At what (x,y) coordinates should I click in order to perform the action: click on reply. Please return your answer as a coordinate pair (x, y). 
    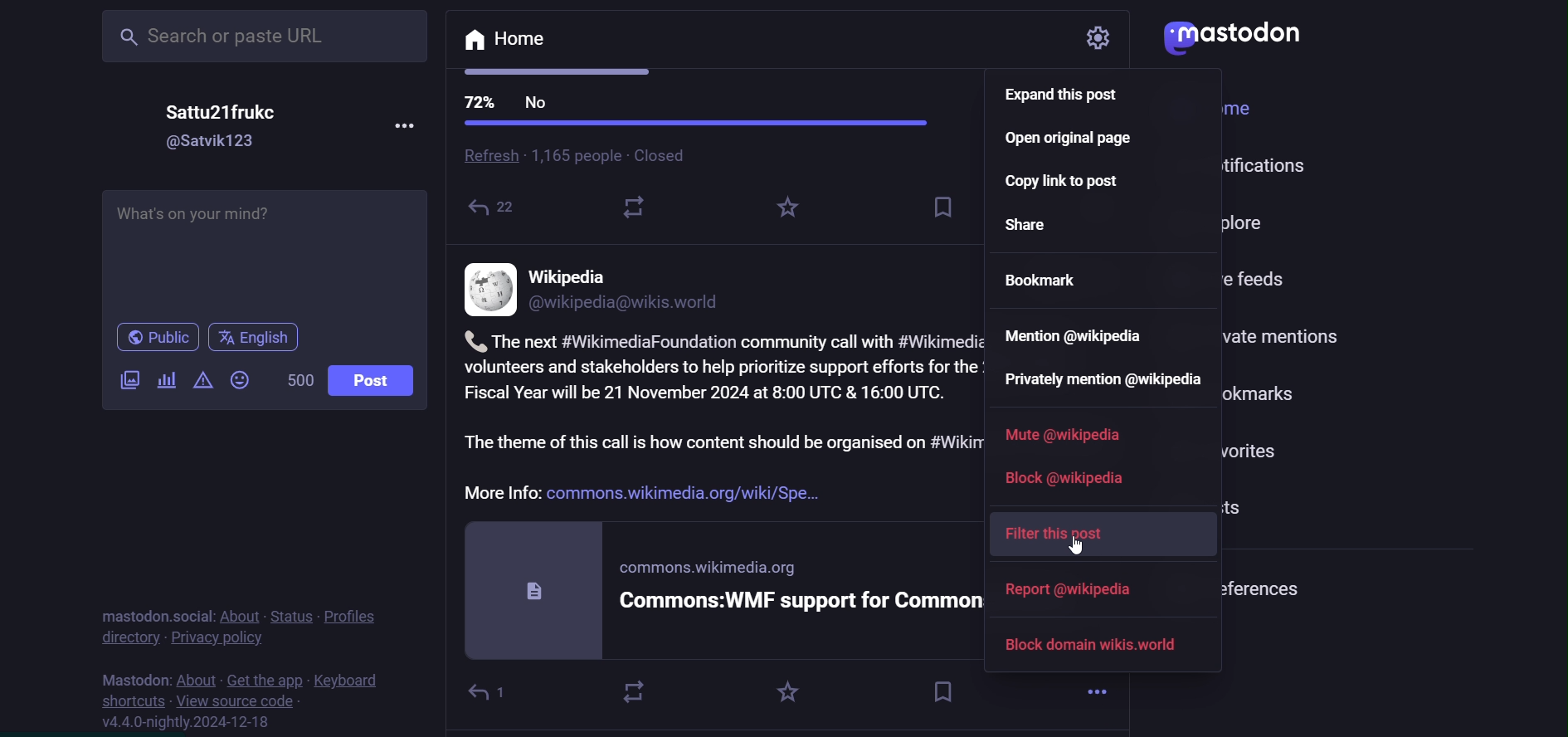
    Looking at the image, I should click on (494, 691).